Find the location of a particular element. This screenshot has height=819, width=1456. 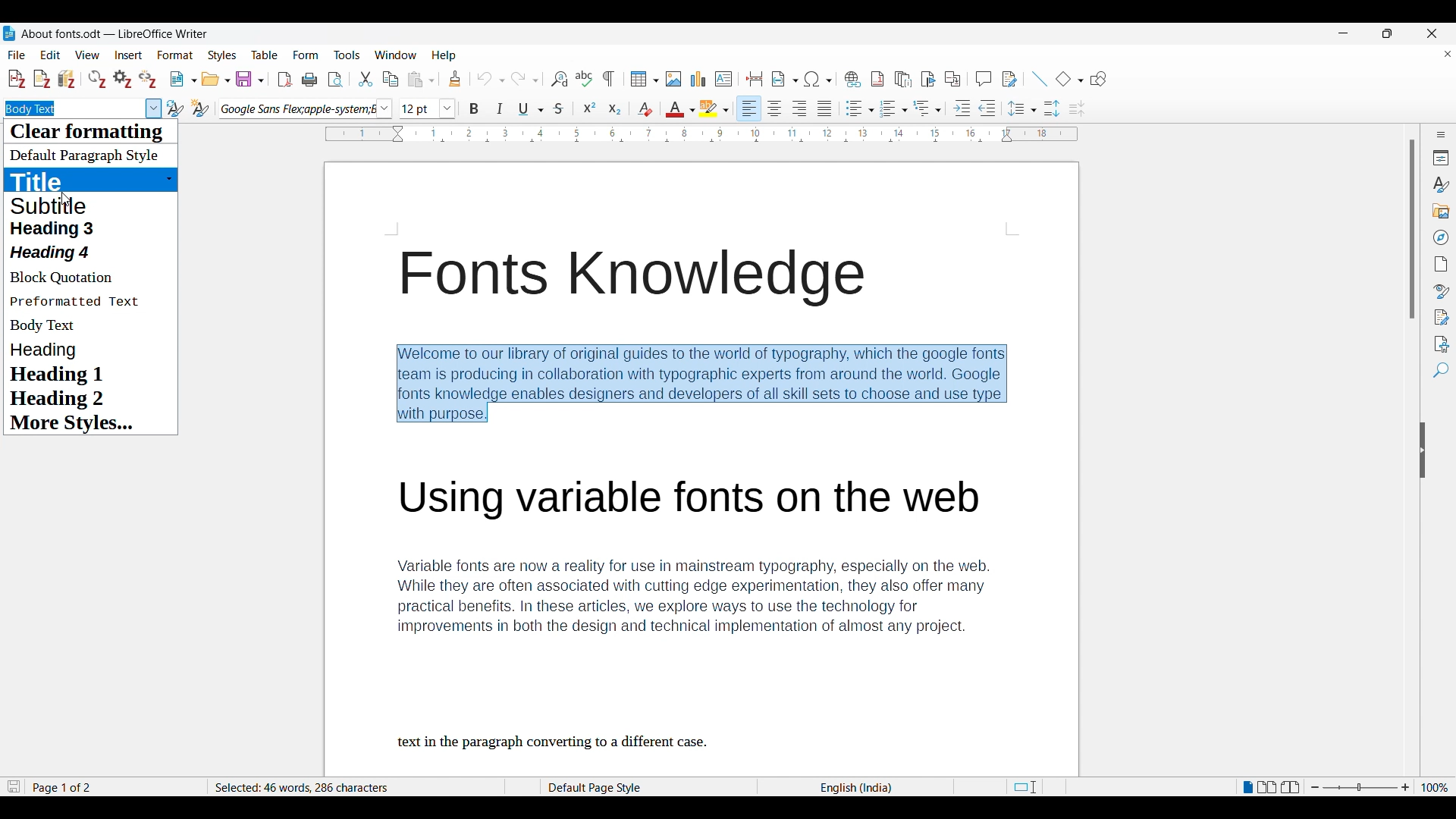

Print is located at coordinates (309, 80).